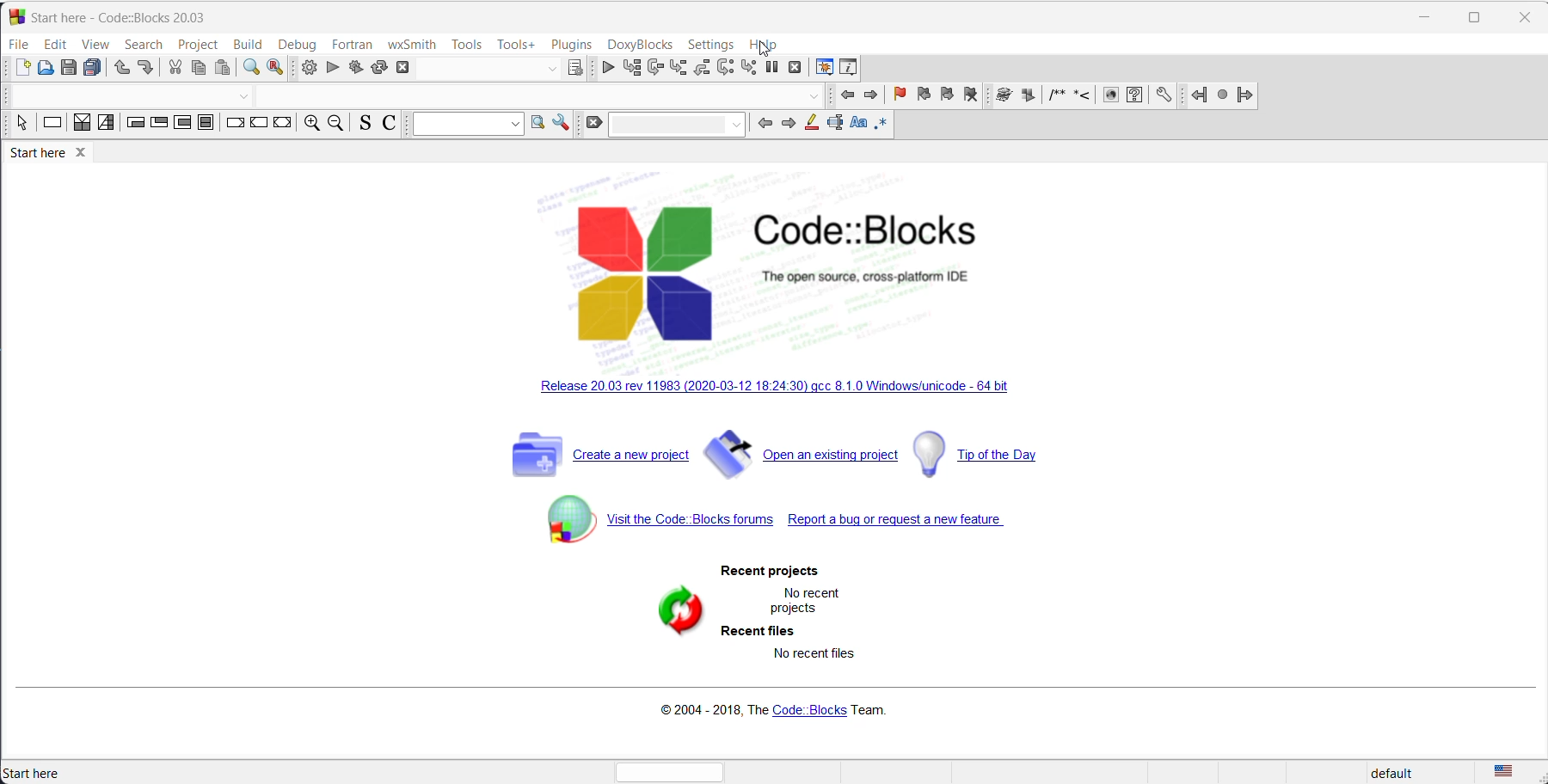  What do you see at coordinates (133, 125) in the screenshot?
I see `entry condition loop` at bounding box center [133, 125].